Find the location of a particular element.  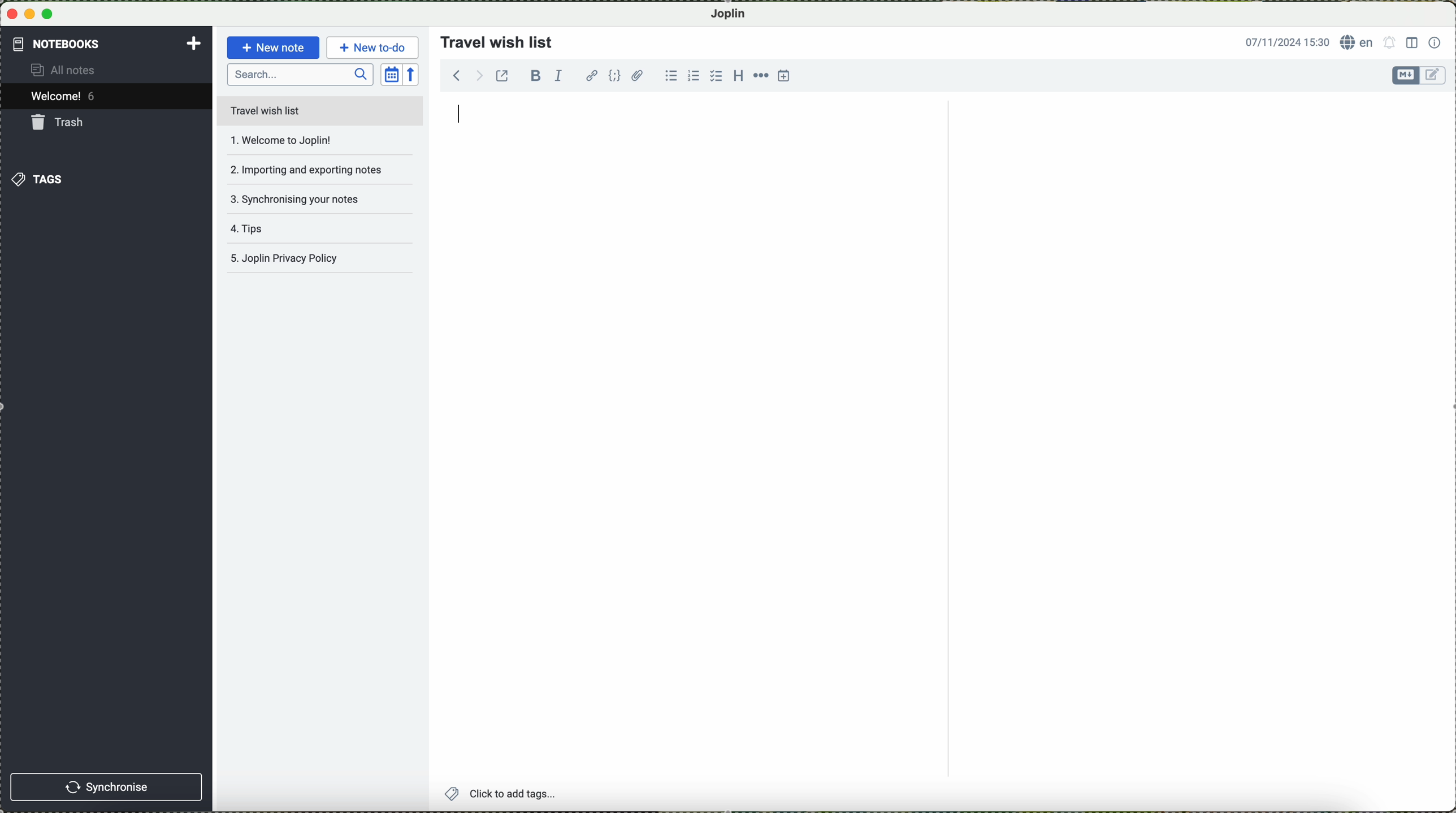

travel wish list file is located at coordinates (319, 110).